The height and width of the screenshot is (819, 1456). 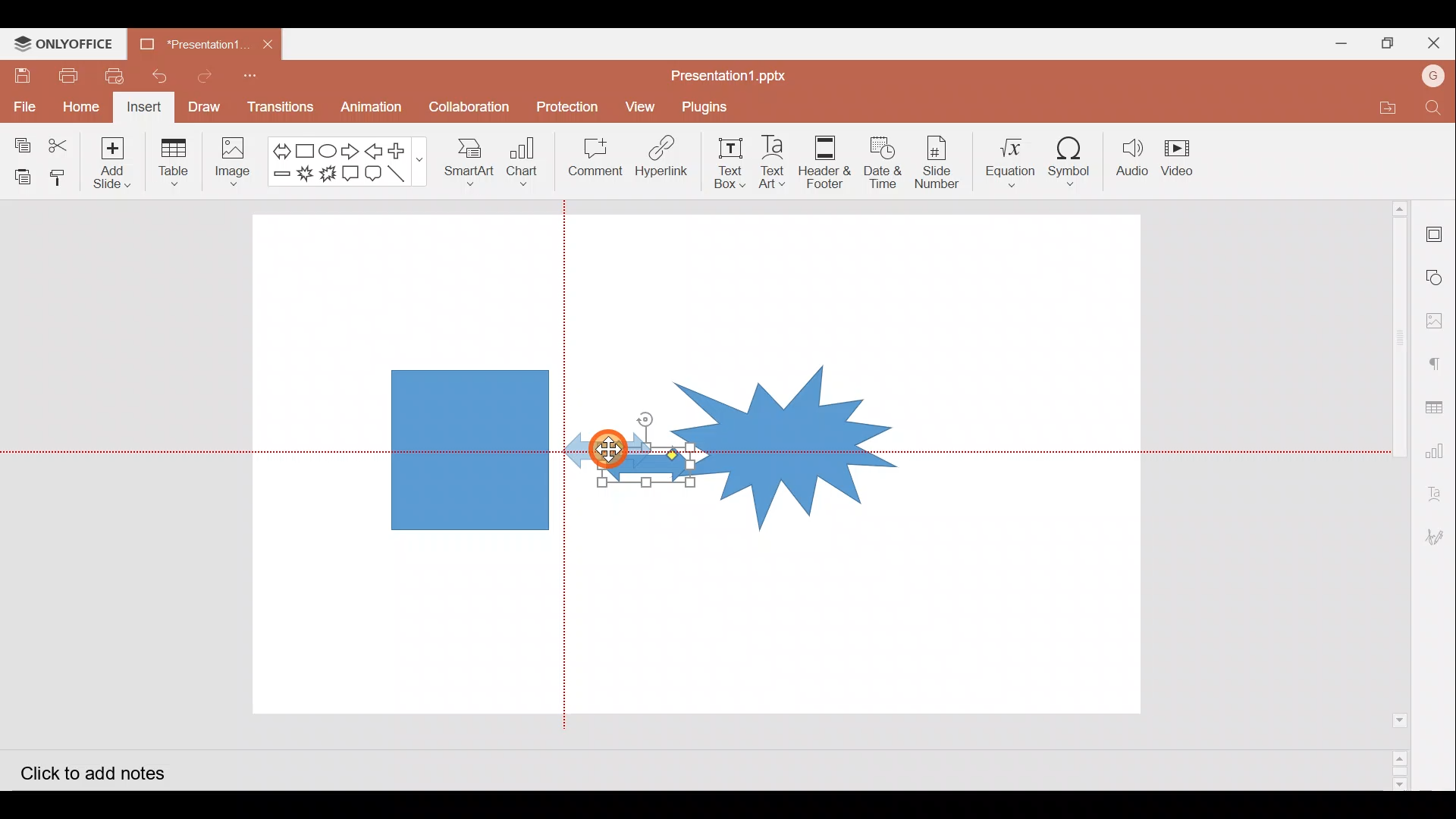 What do you see at coordinates (403, 149) in the screenshot?
I see `Plus` at bounding box center [403, 149].